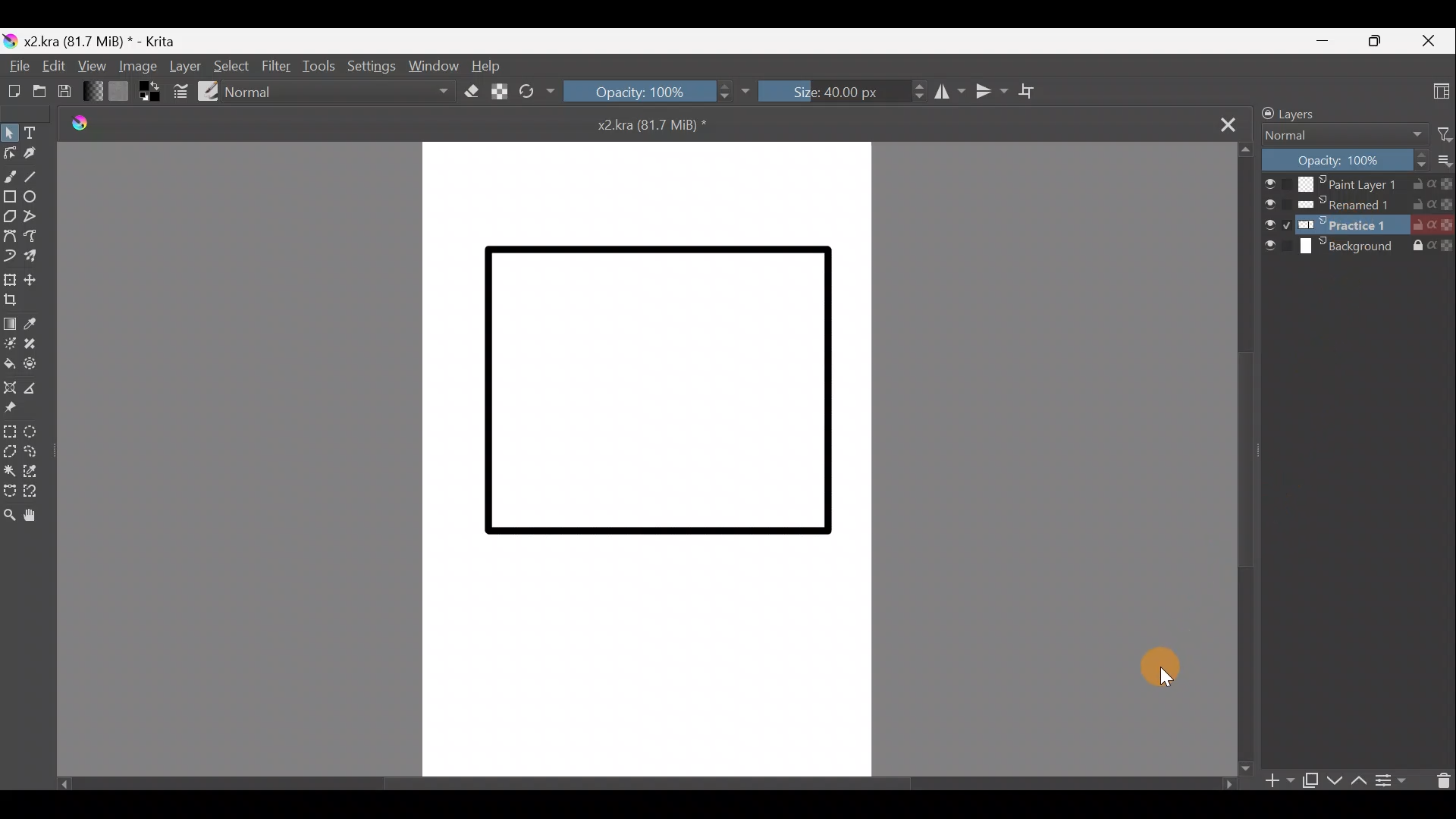 The height and width of the screenshot is (819, 1456). What do you see at coordinates (1362, 779) in the screenshot?
I see `Move layer/mask up` at bounding box center [1362, 779].